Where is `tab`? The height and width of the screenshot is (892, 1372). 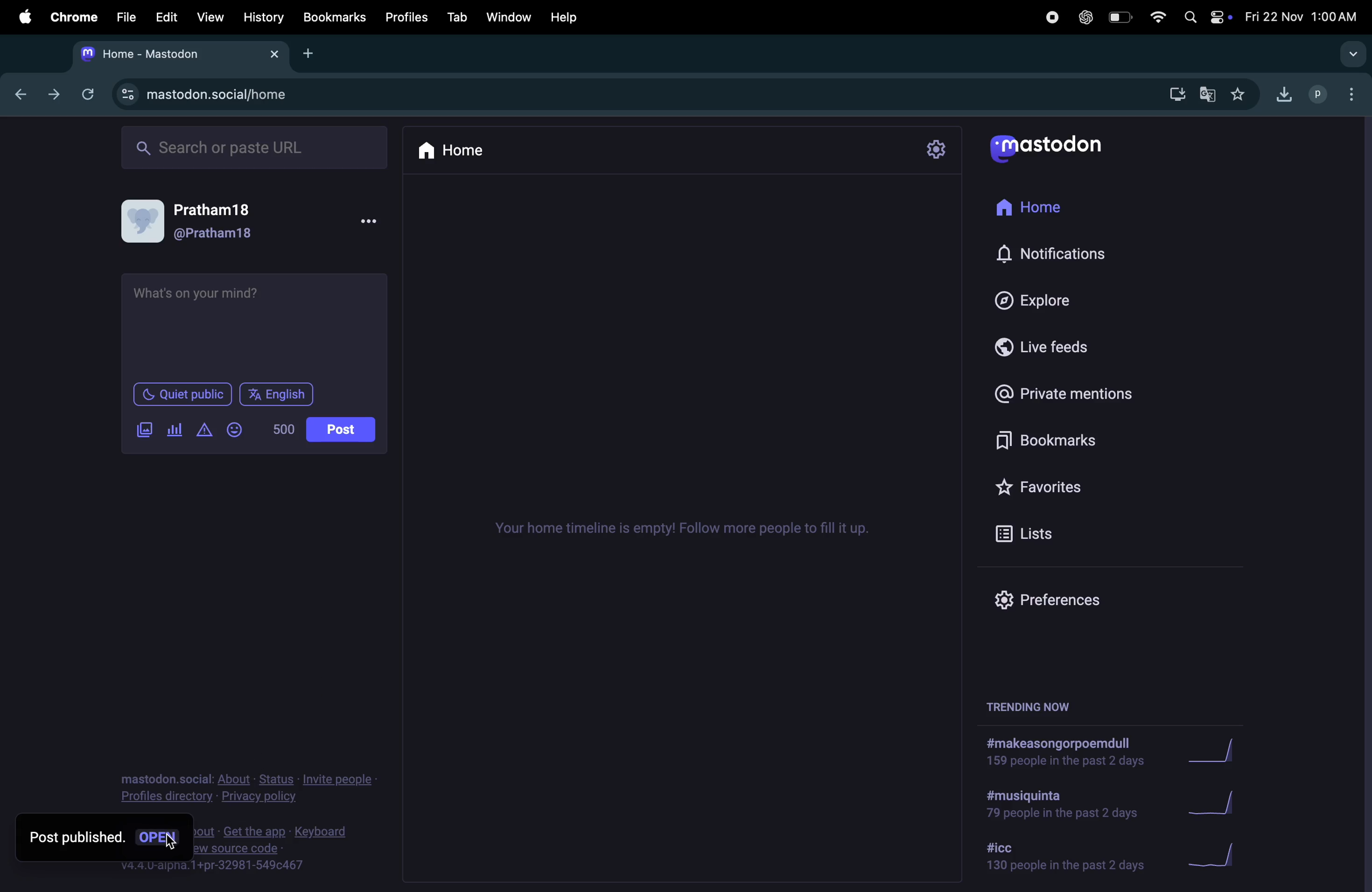 tab is located at coordinates (455, 17).